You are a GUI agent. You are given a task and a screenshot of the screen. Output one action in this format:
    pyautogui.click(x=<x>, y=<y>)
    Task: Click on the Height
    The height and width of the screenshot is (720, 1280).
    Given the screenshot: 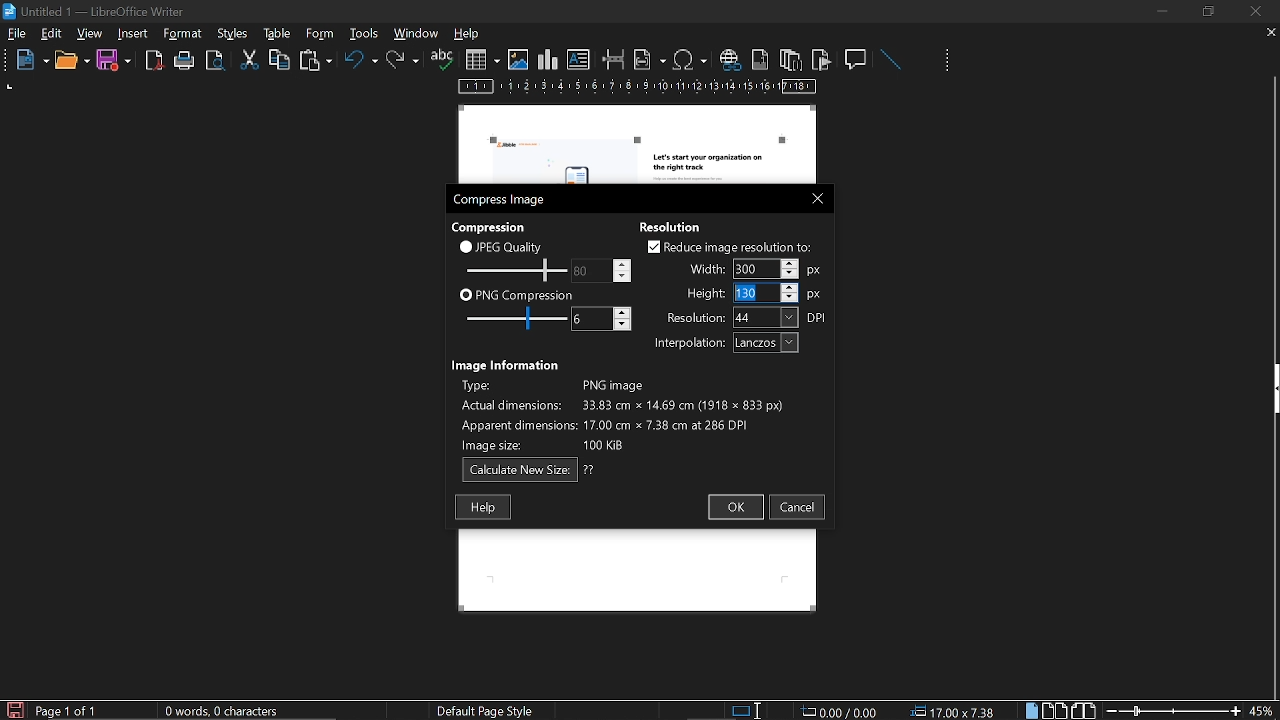 What is the action you would take?
    pyautogui.click(x=754, y=292)
    